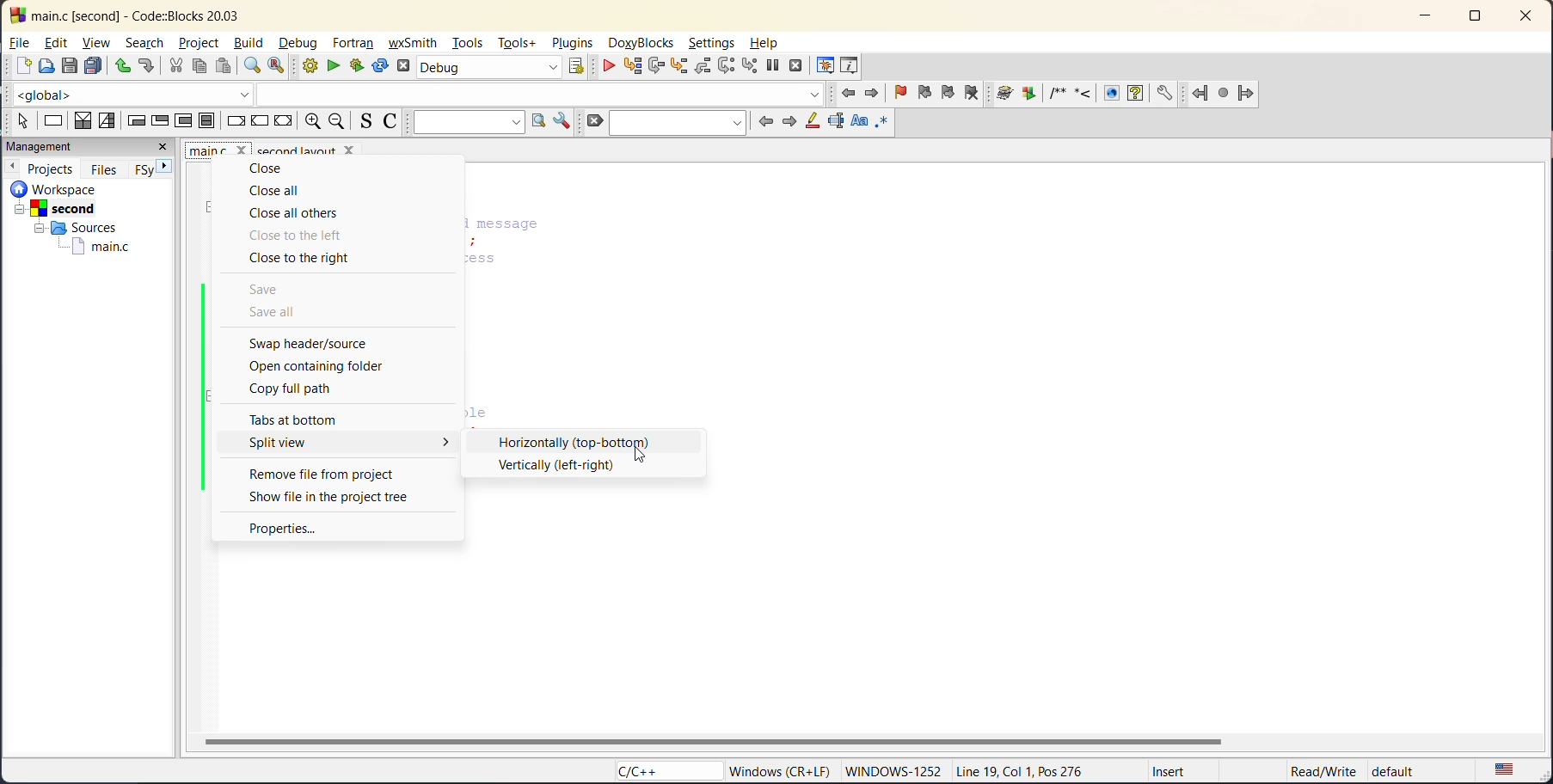 The image size is (1553, 784). What do you see at coordinates (1027, 772) in the screenshot?
I see `Line 19, Col 1, Pos 276` at bounding box center [1027, 772].